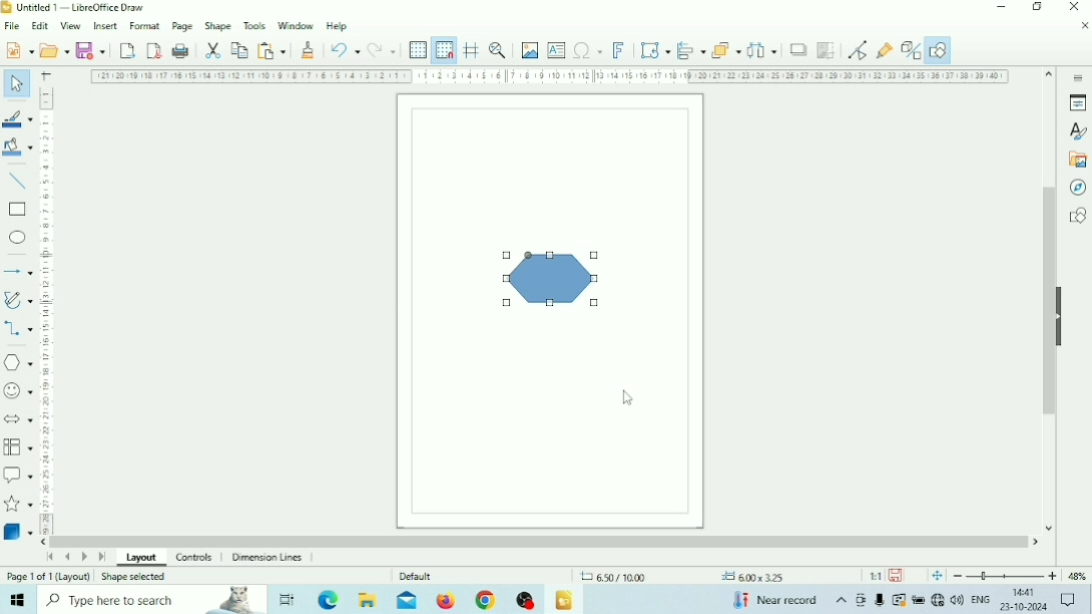 Image resolution: width=1092 pixels, height=614 pixels. Describe the element at coordinates (17, 237) in the screenshot. I see `Ellipse` at that location.